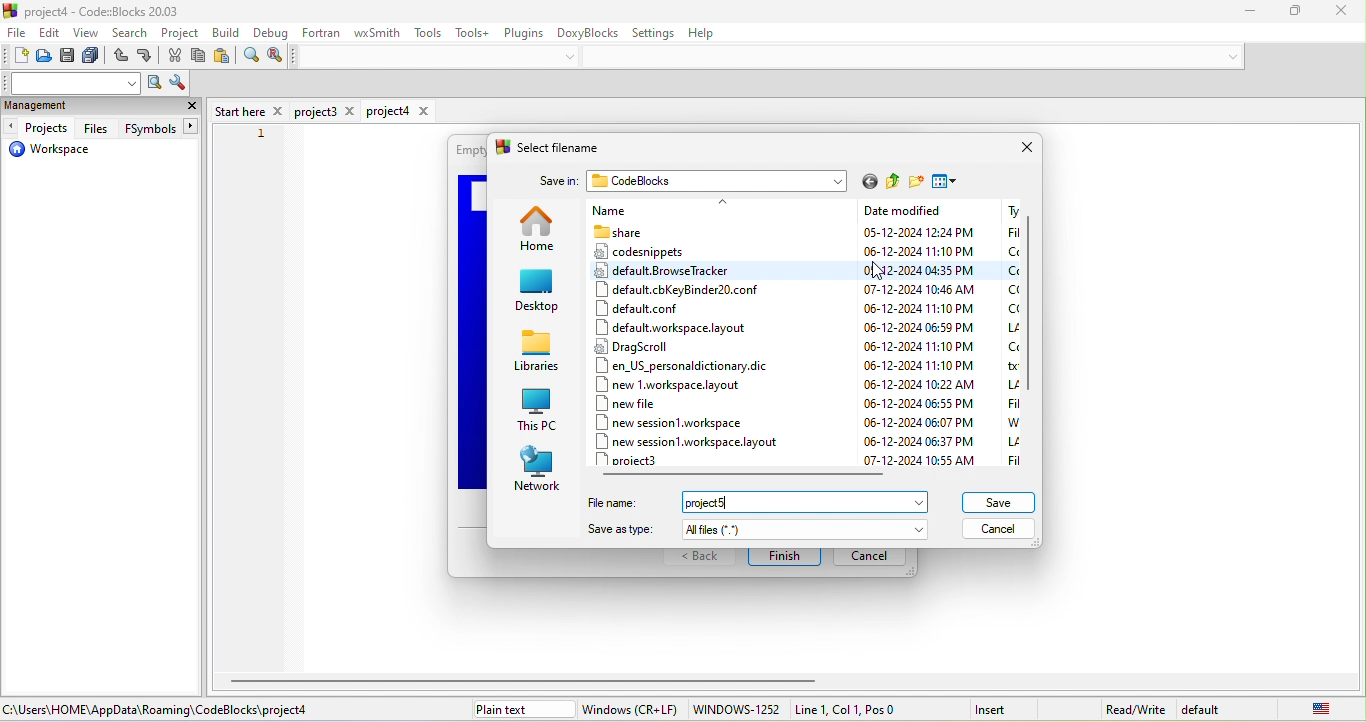 Image resolution: width=1366 pixels, height=722 pixels. Describe the element at coordinates (541, 234) in the screenshot. I see `home` at that location.